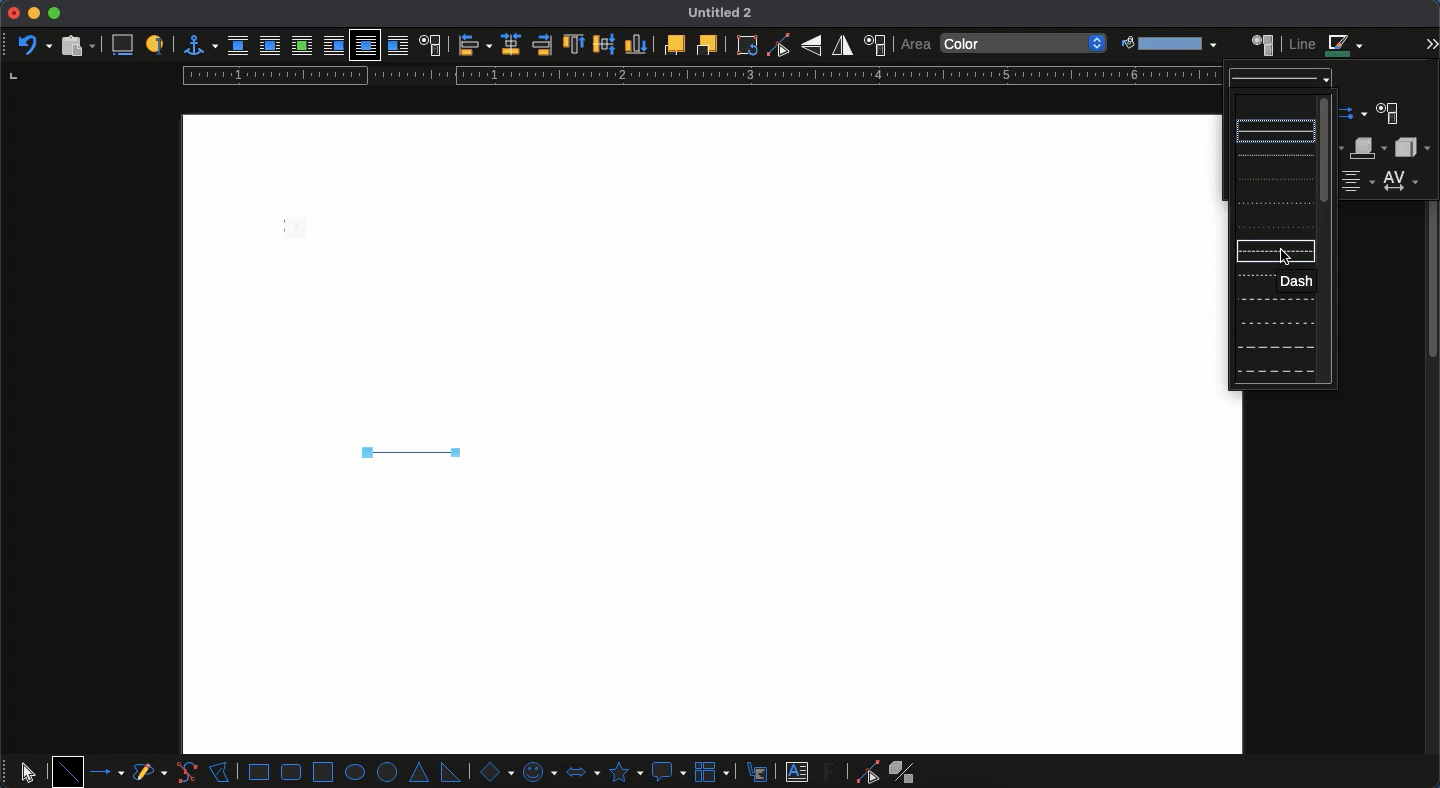 Image resolution: width=1440 pixels, height=788 pixels. I want to click on minimize, so click(34, 13).